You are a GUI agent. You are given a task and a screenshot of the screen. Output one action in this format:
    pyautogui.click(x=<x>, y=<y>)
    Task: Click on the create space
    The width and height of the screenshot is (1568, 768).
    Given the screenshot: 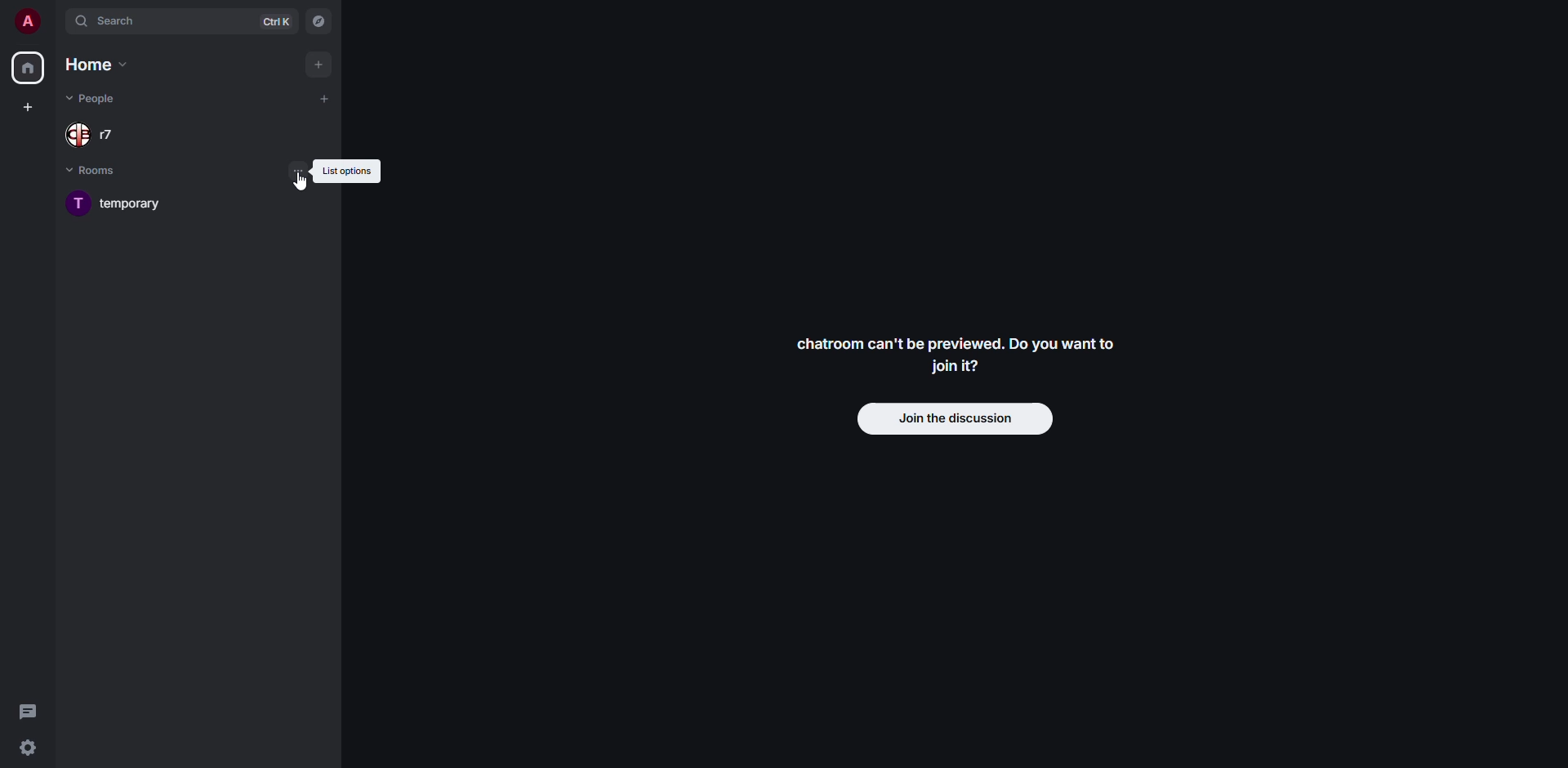 What is the action you would take?
    pyautogui.click(x=25, y=106)
    